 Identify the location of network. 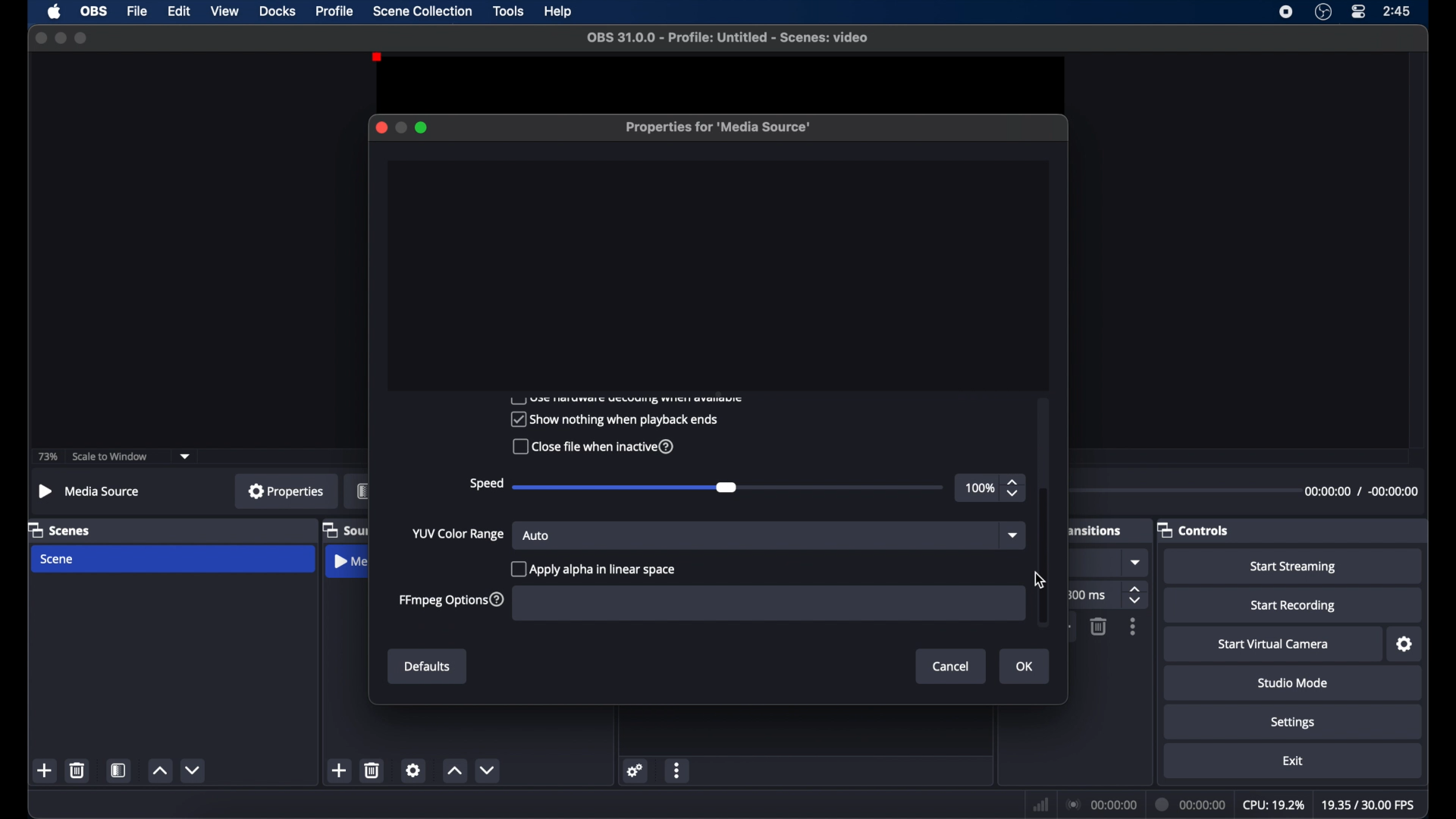
(1040, 805).